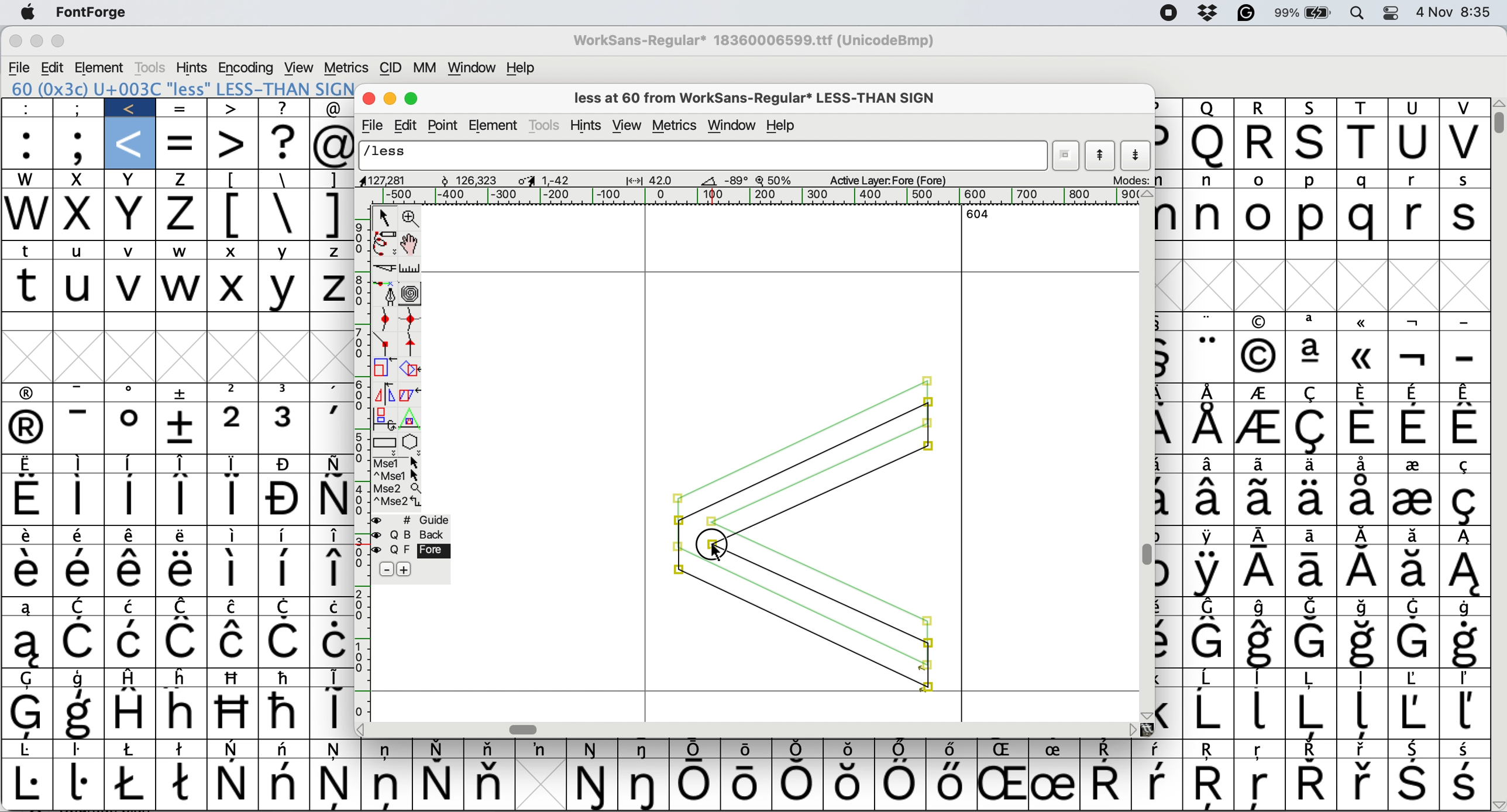 The width and height of the screenshot is (1507, 812). I want to click on Symbol, so click(1156, 785).